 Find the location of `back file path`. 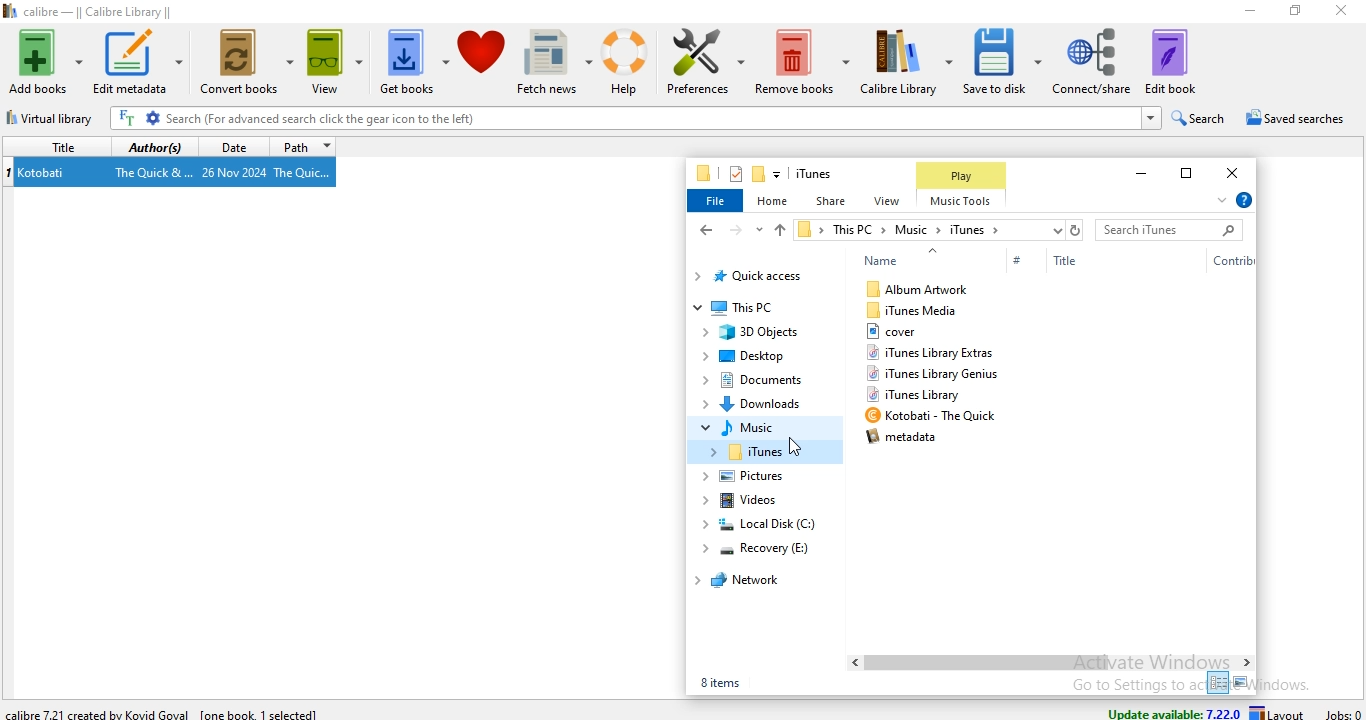

back file path is located at coordinates (705, 230).